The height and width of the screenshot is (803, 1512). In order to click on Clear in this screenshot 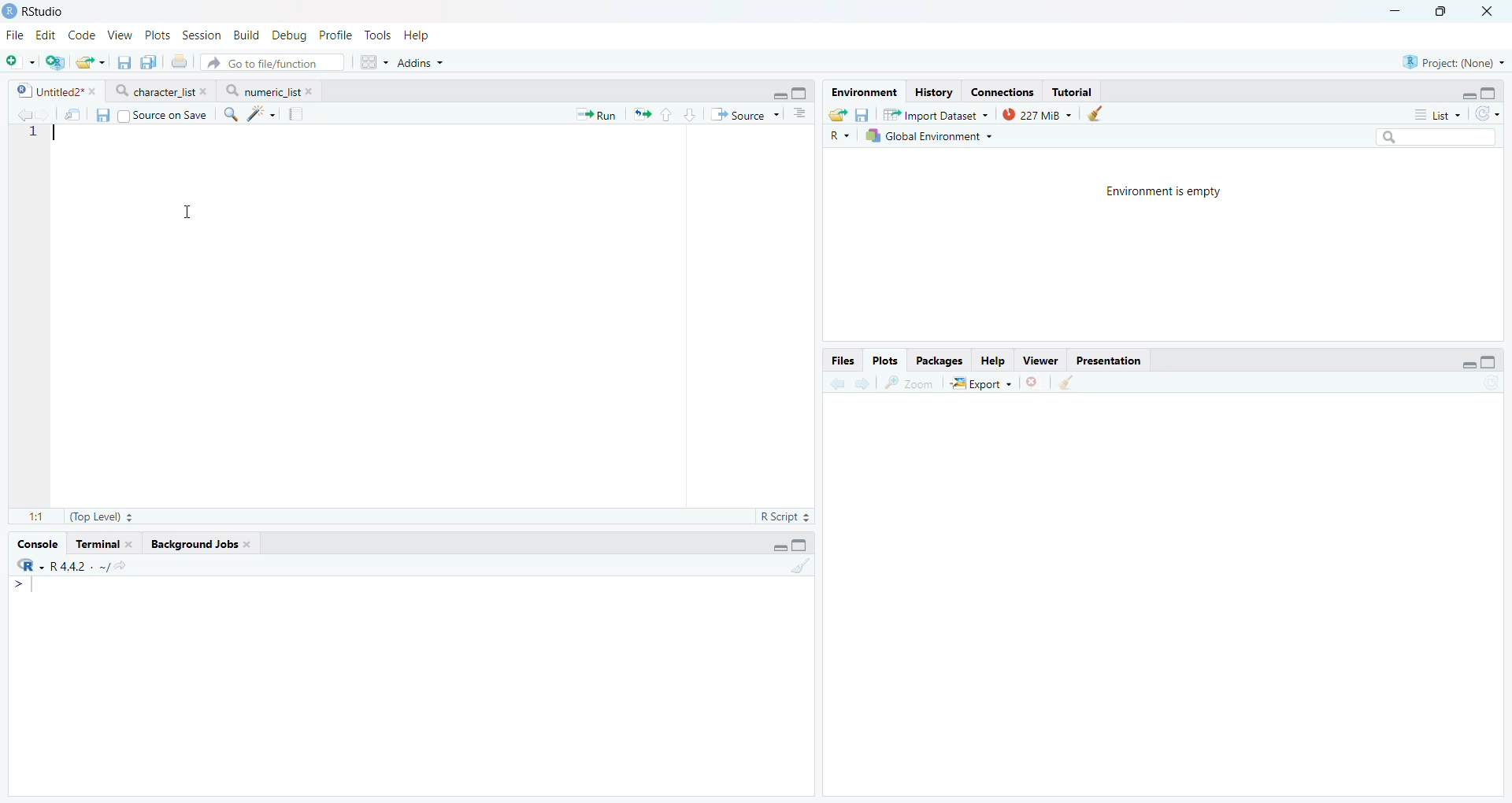, I will do `click(1095, 113)`.